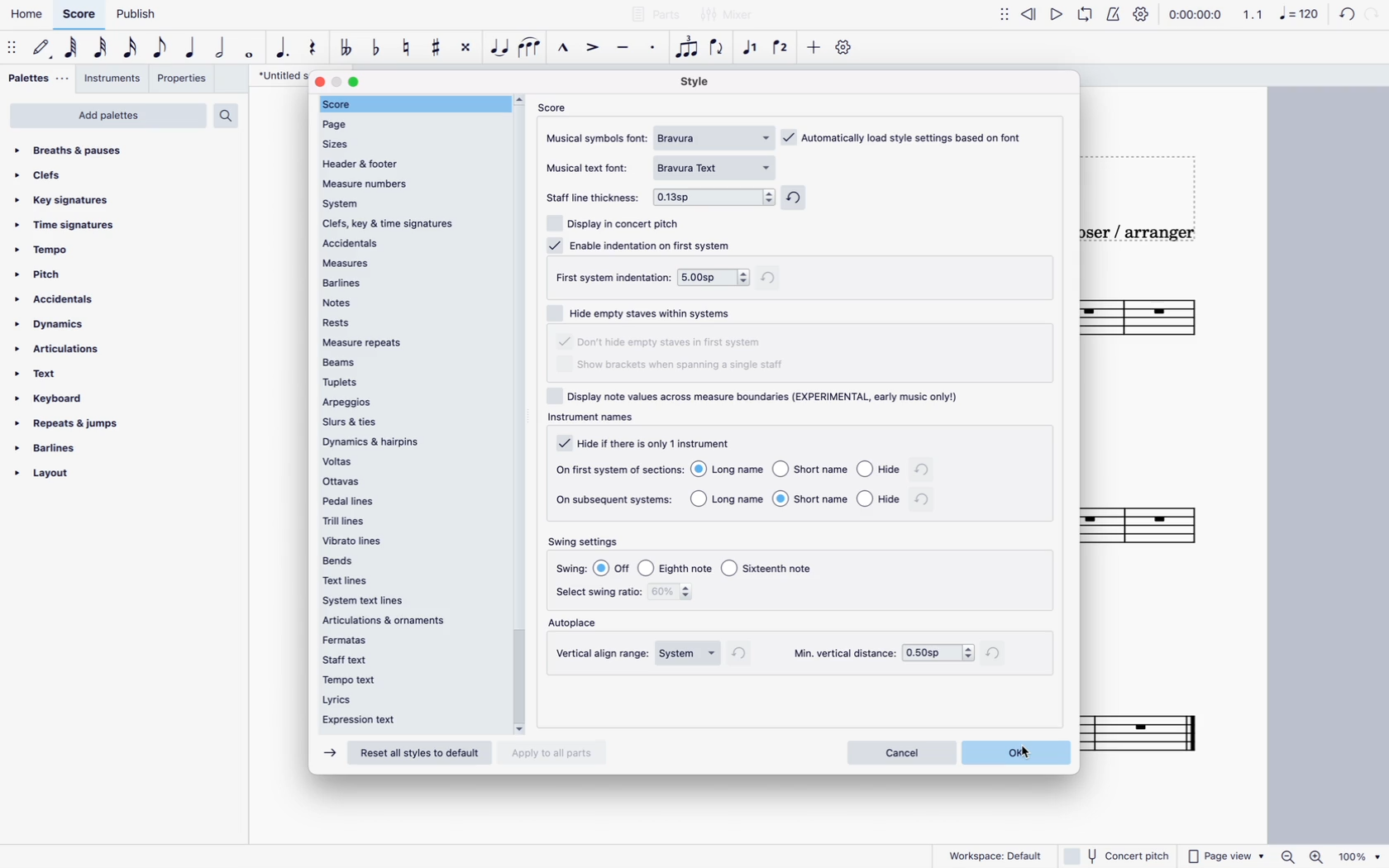  I want to click on options, so click(711, 567).